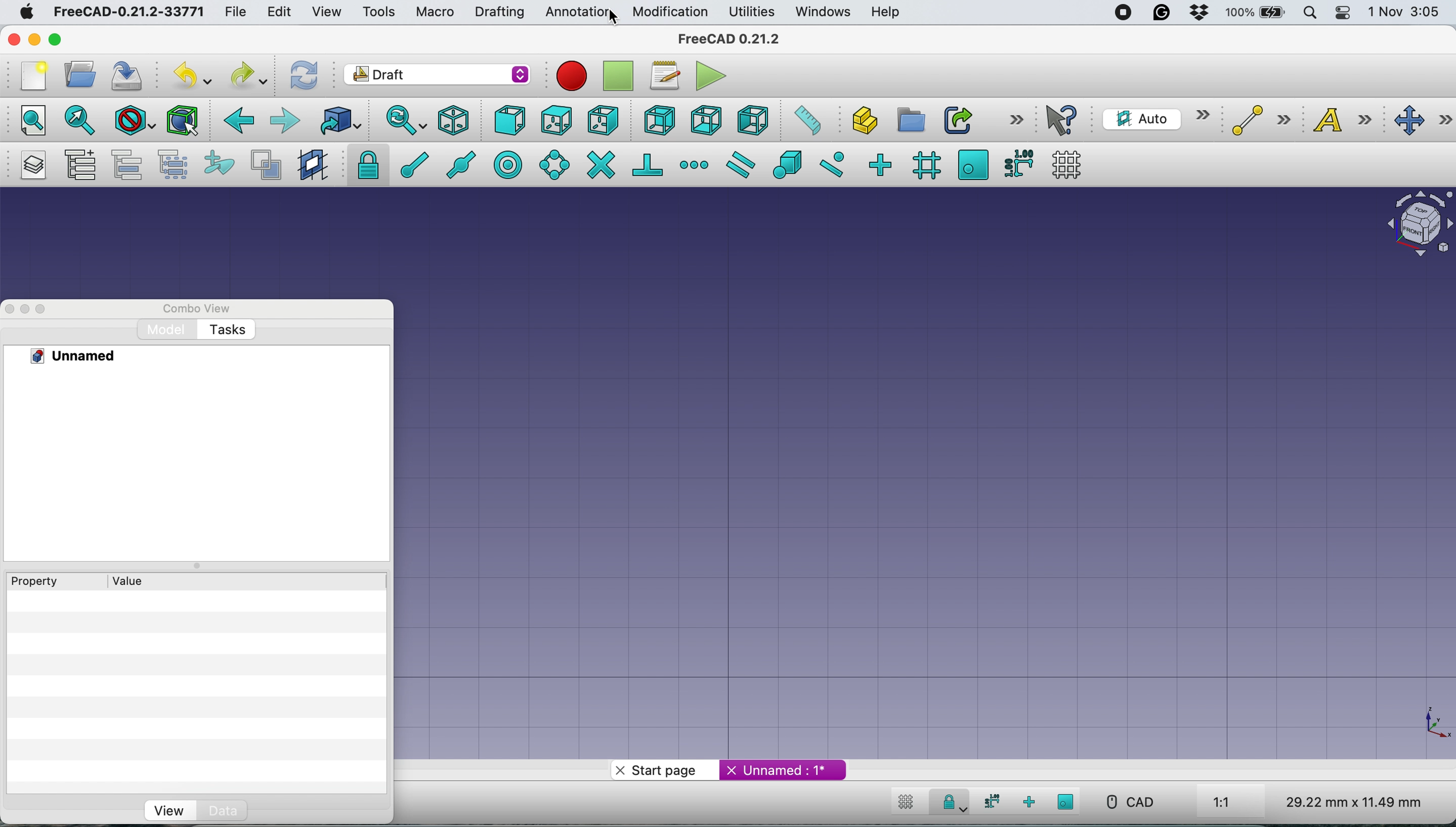 This screenshot has width=1456, height=827. Describe the element at coordinates (1255, 119) in the screenshot. I see `line` at that location.